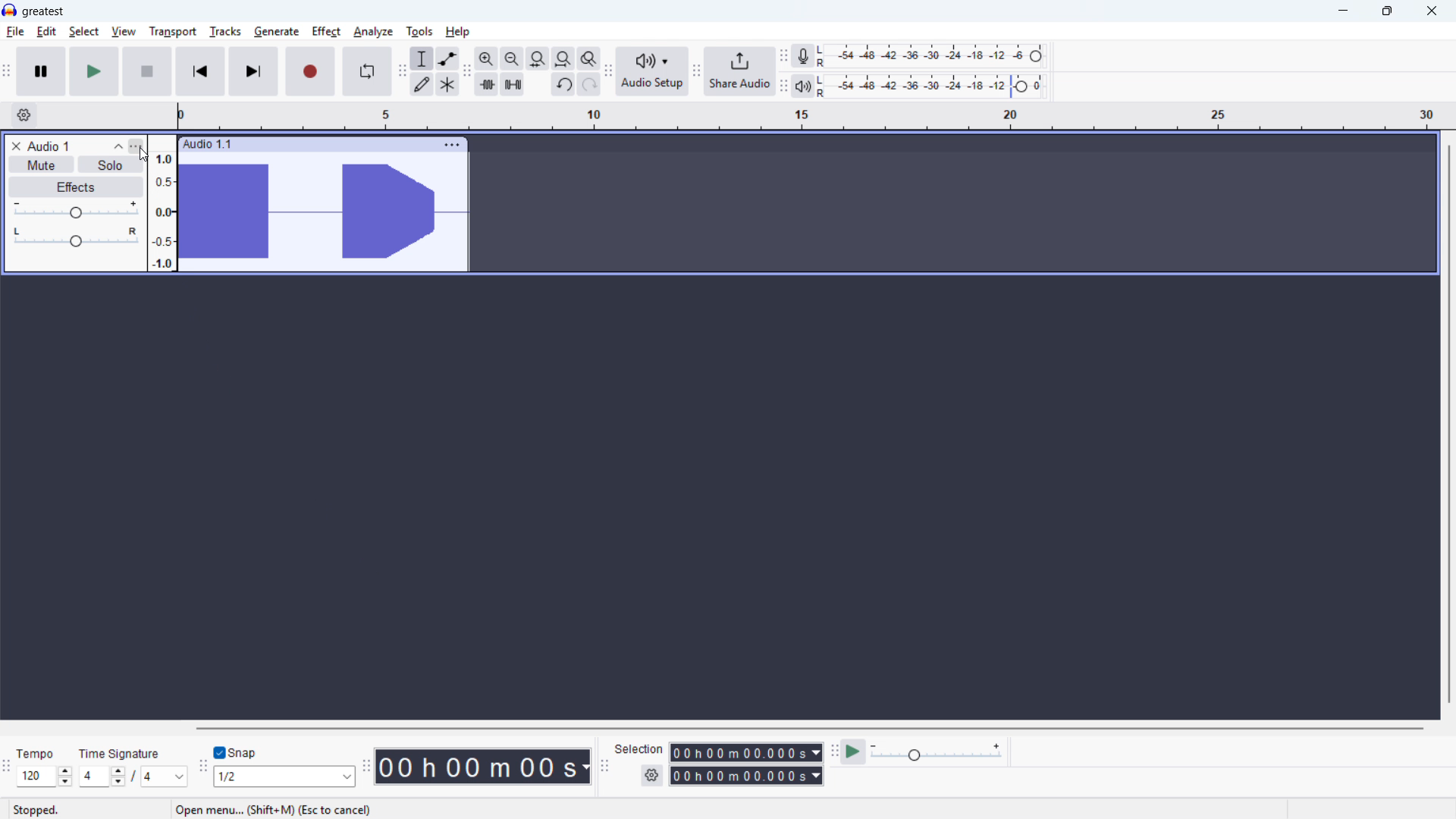 The image size is (1456, 819). I want to click on time signature, so click(121, 754).